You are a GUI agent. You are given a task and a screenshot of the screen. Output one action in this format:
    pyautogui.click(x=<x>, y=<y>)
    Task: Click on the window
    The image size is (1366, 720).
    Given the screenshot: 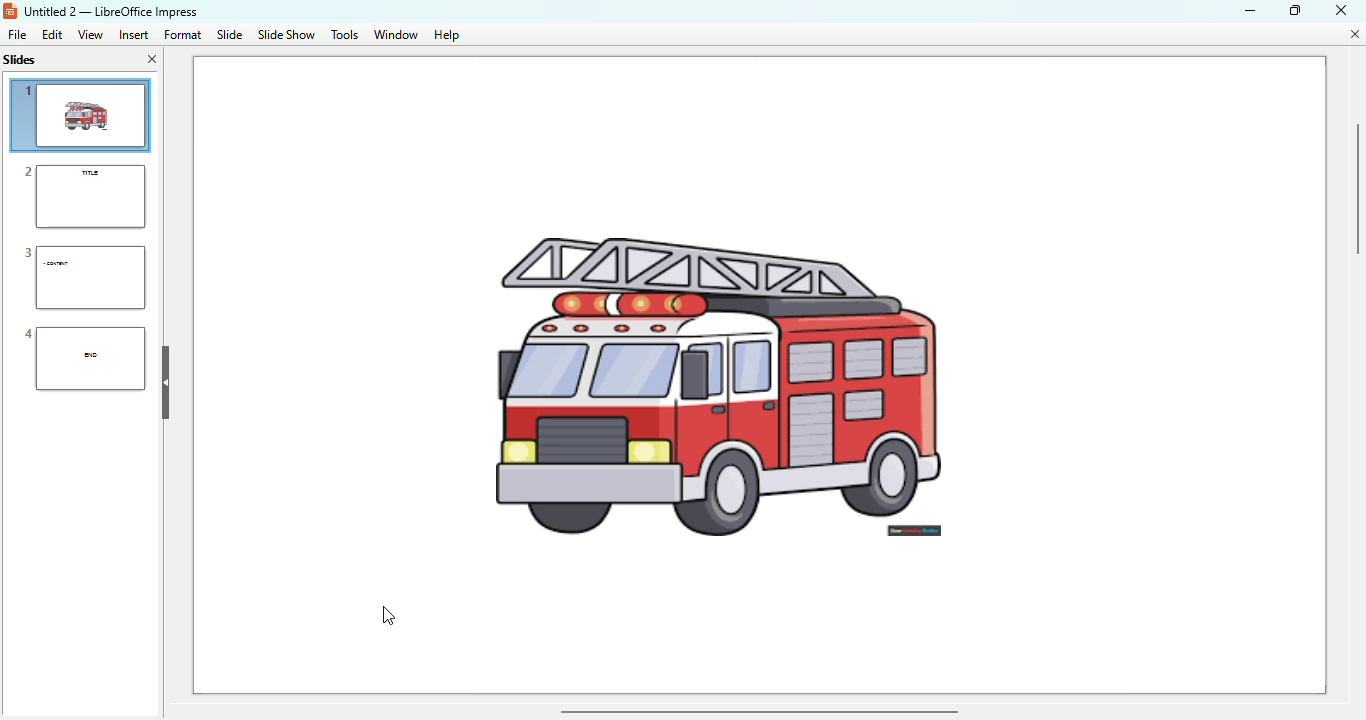 What is the action you would take?
    pyautogui.click(x=396, y=35)
    